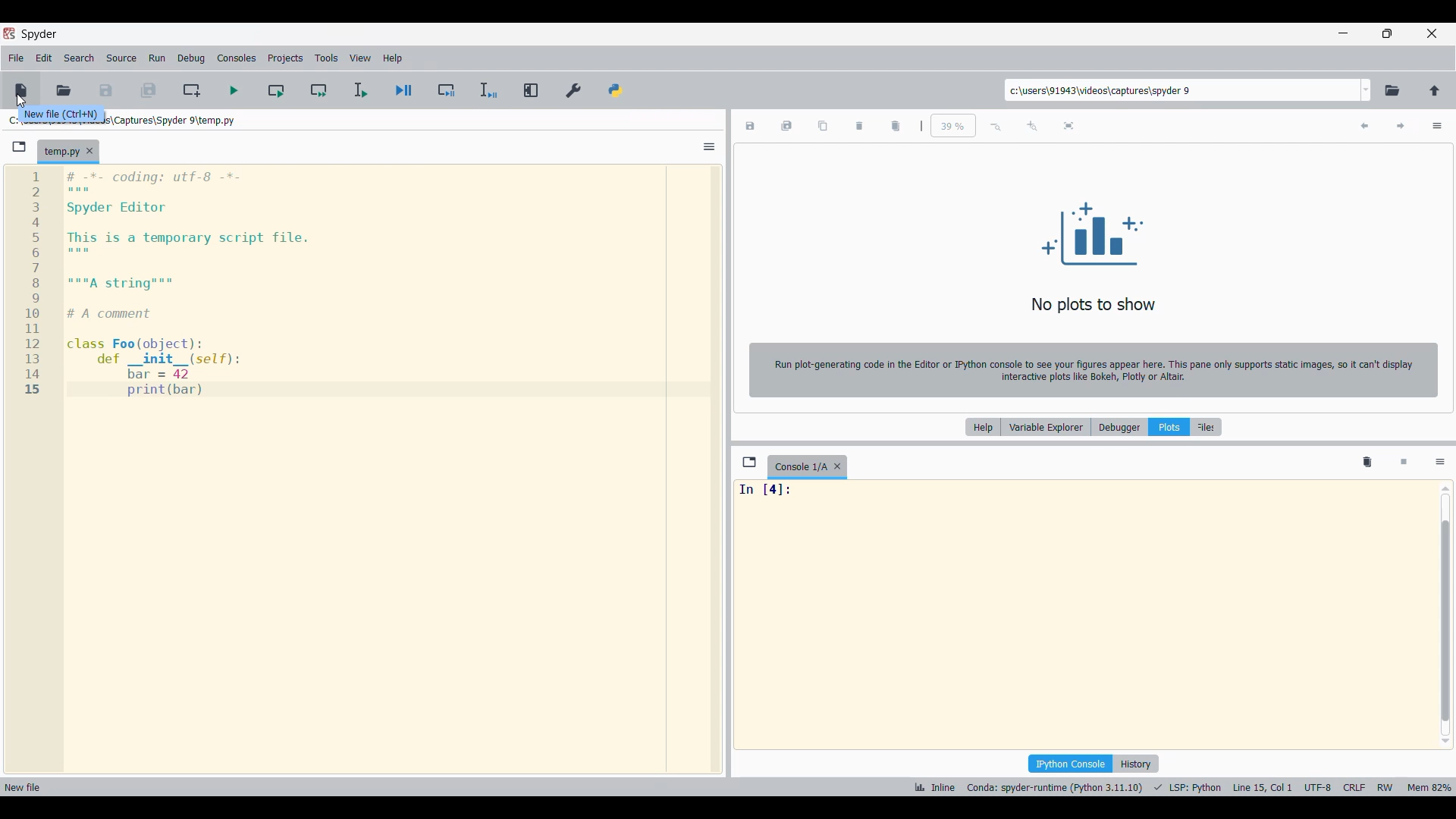 This screenshot has height=819, width=1456. I want to click on Maximize current pane, so click(530, 90).